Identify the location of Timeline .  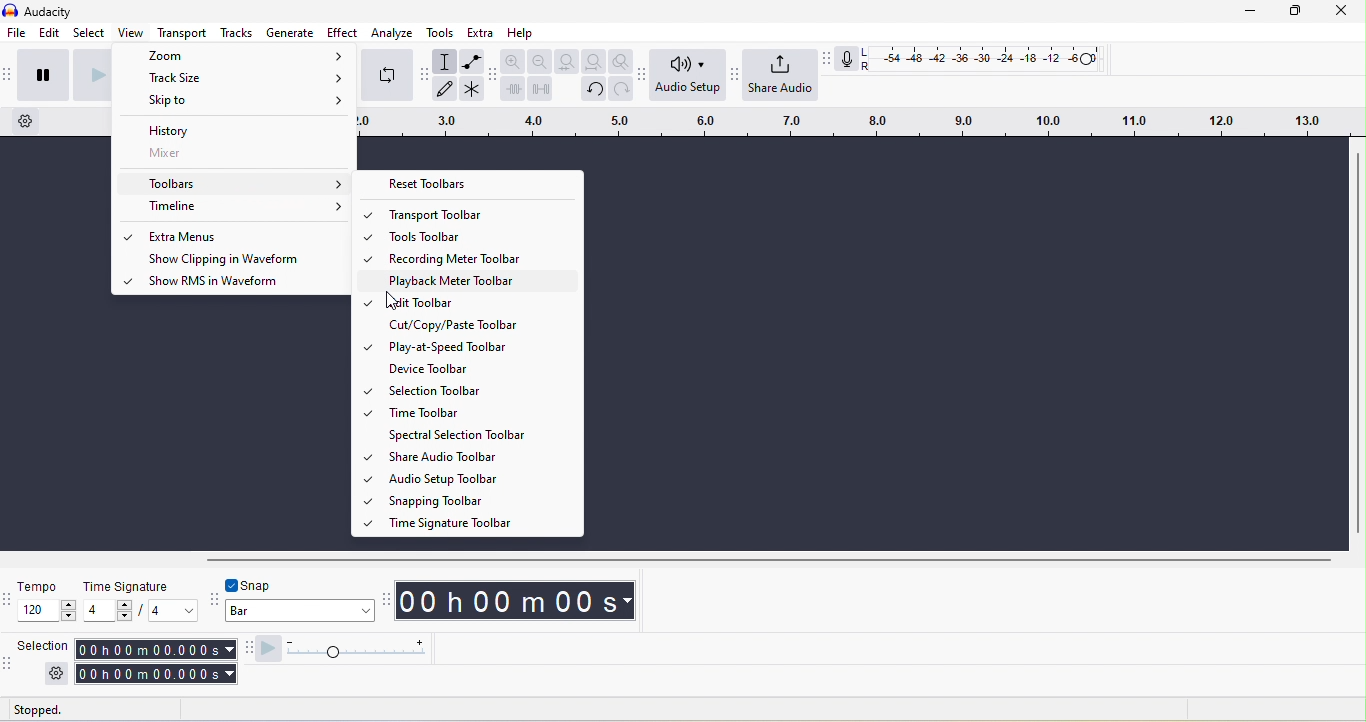
(234, 207).